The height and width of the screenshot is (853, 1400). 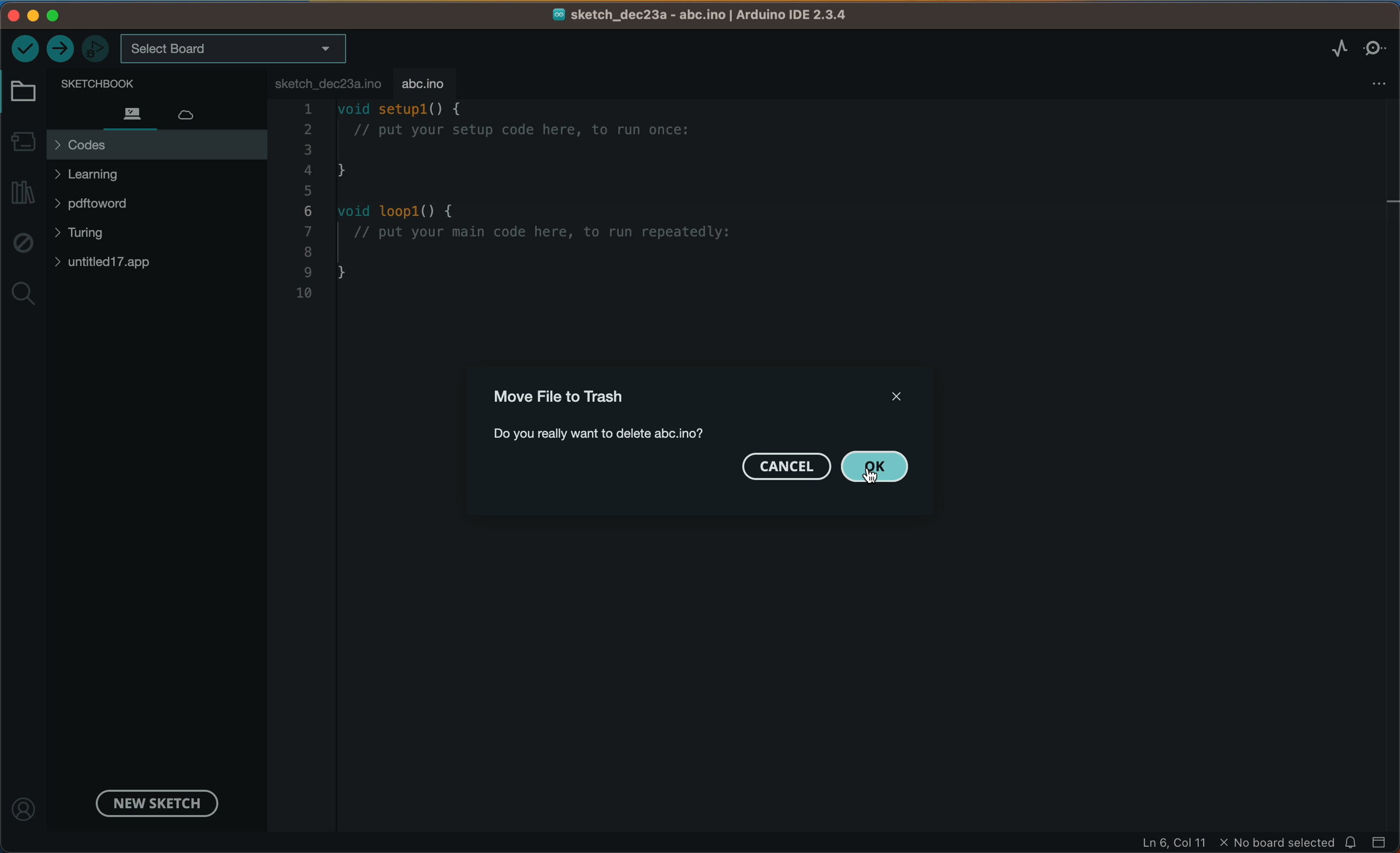 What do you see at coordinates (233, 48) in the screenshot?
I see `board selecter` at bounding box center [233, 48].